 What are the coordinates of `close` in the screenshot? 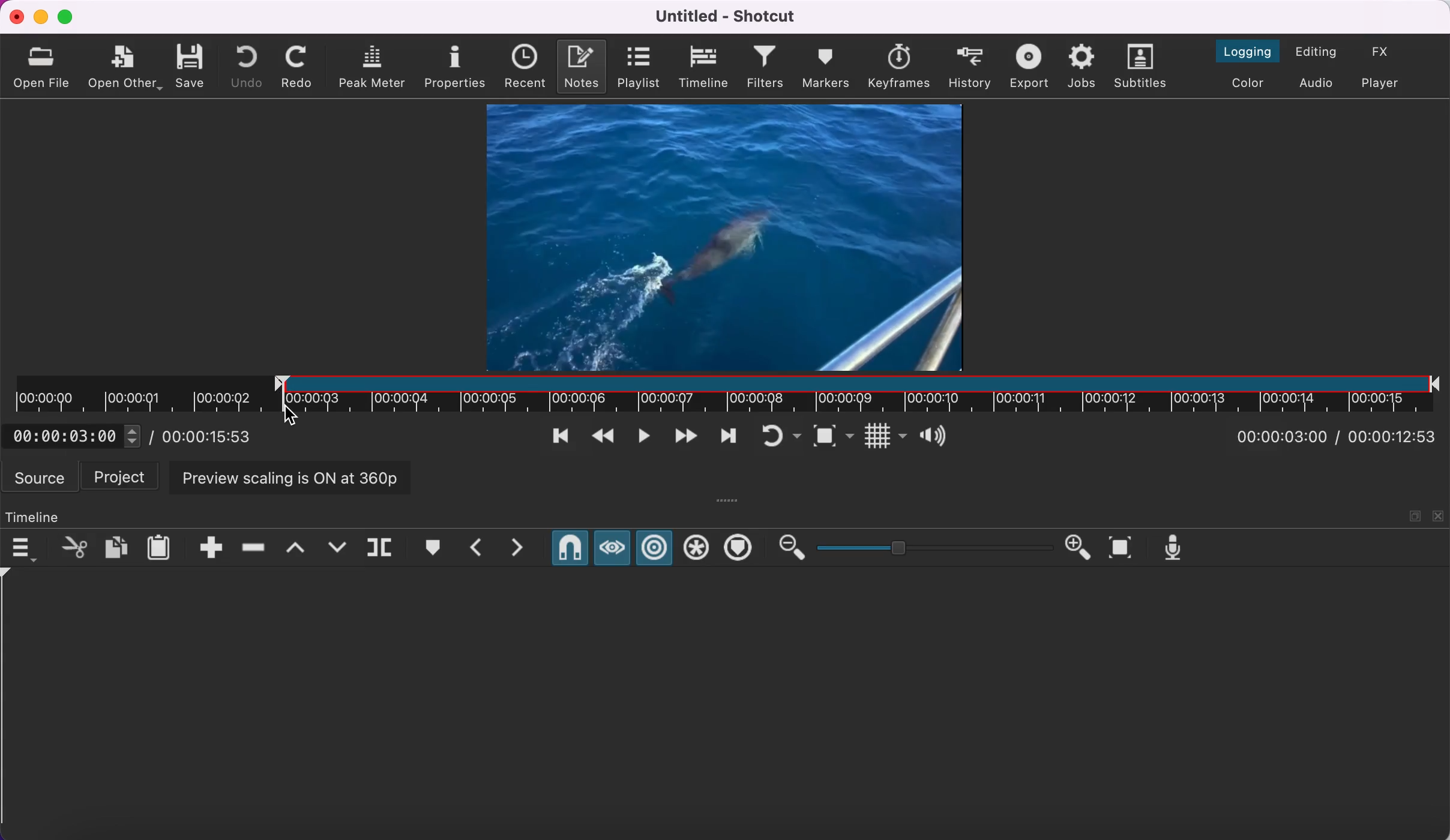 It's located at (1439, 515).